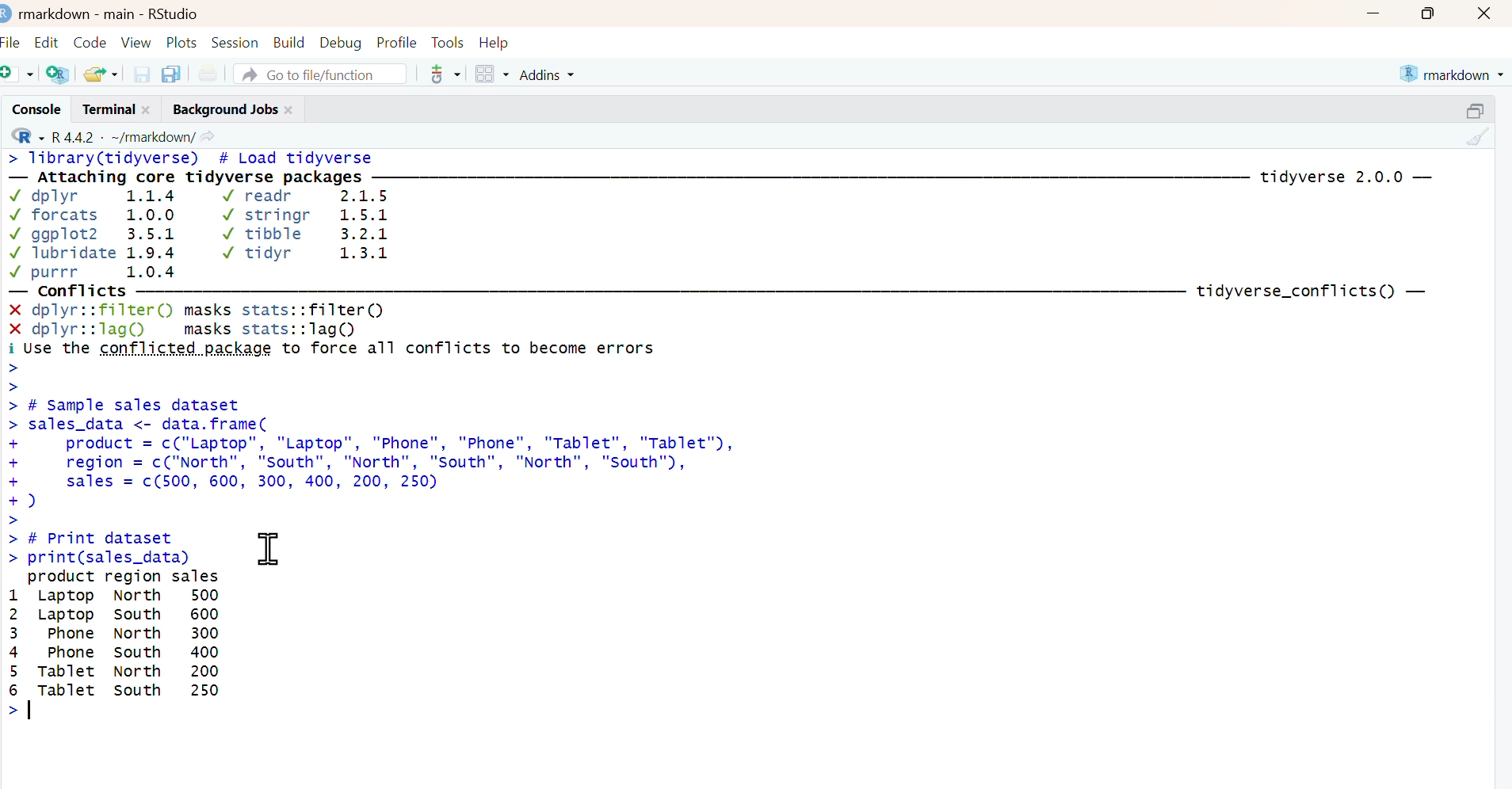  I want to click on minimize, so click(1373, 13).